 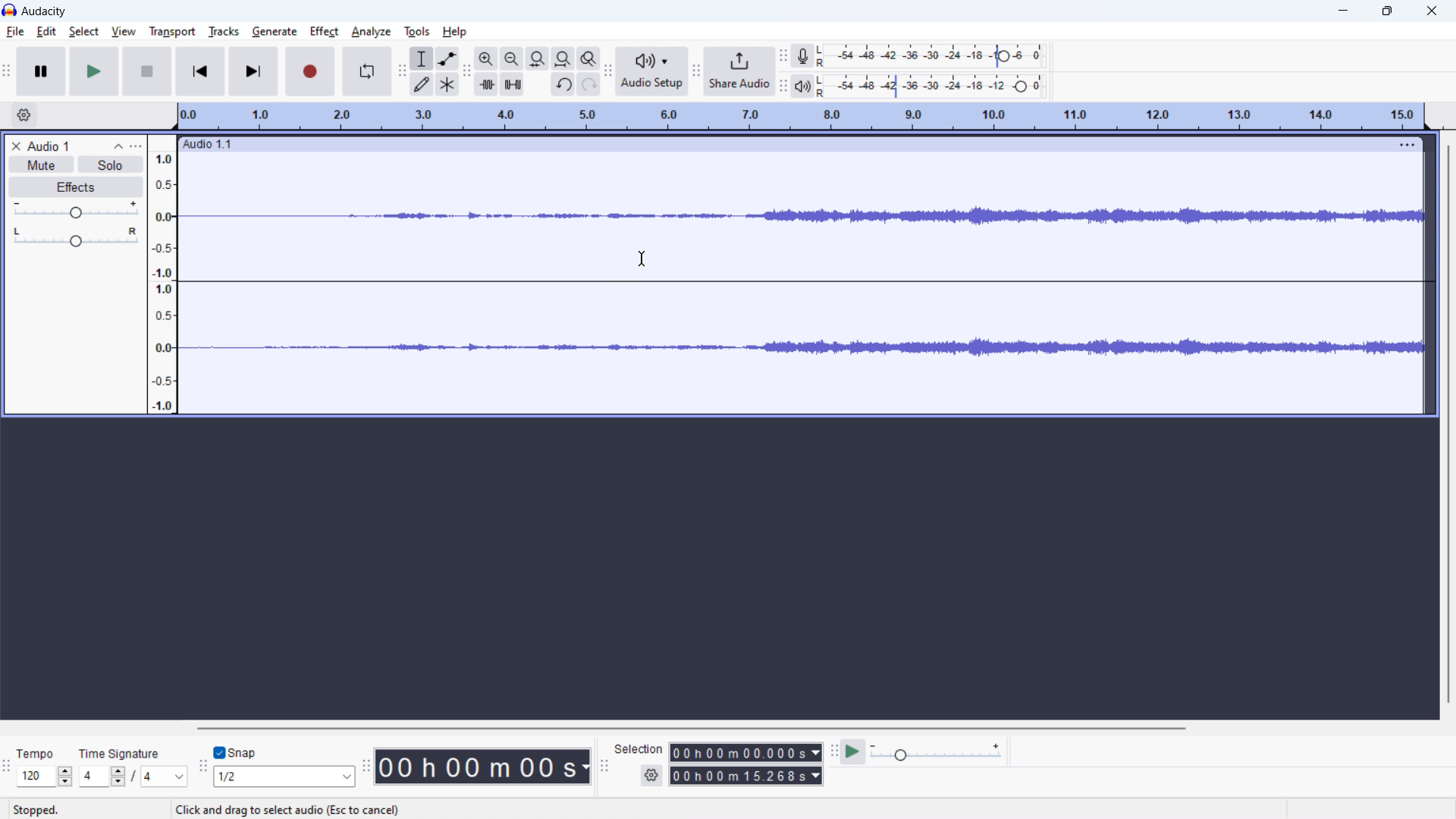 What do you see at coordinates (16, 32) in the screenshot?
I see `file` at bounding box center [16, 32].